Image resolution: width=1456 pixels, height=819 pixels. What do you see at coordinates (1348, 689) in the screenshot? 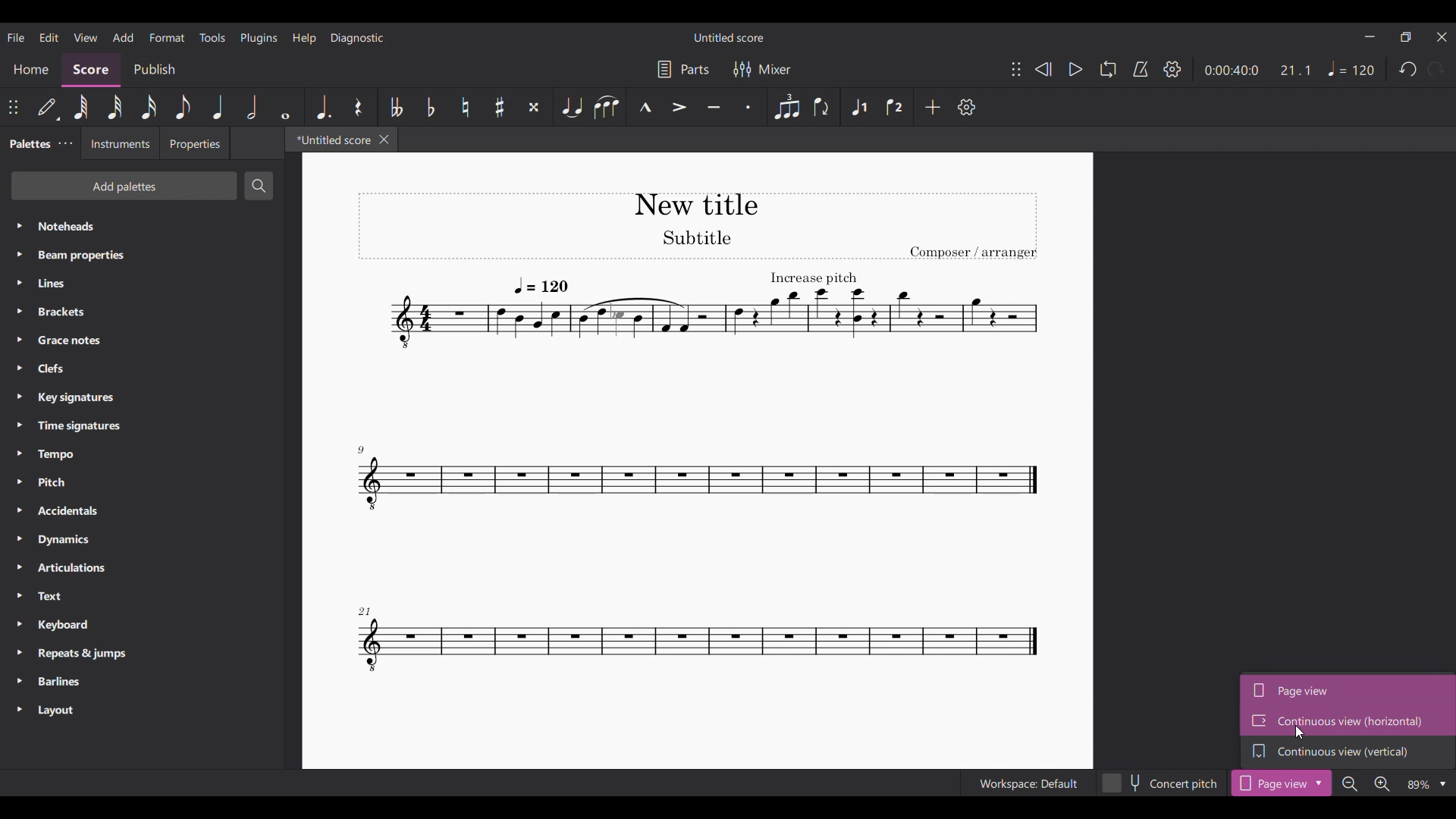
I see `Page view, current selection highlighted` at bounding box center [1348, 689].